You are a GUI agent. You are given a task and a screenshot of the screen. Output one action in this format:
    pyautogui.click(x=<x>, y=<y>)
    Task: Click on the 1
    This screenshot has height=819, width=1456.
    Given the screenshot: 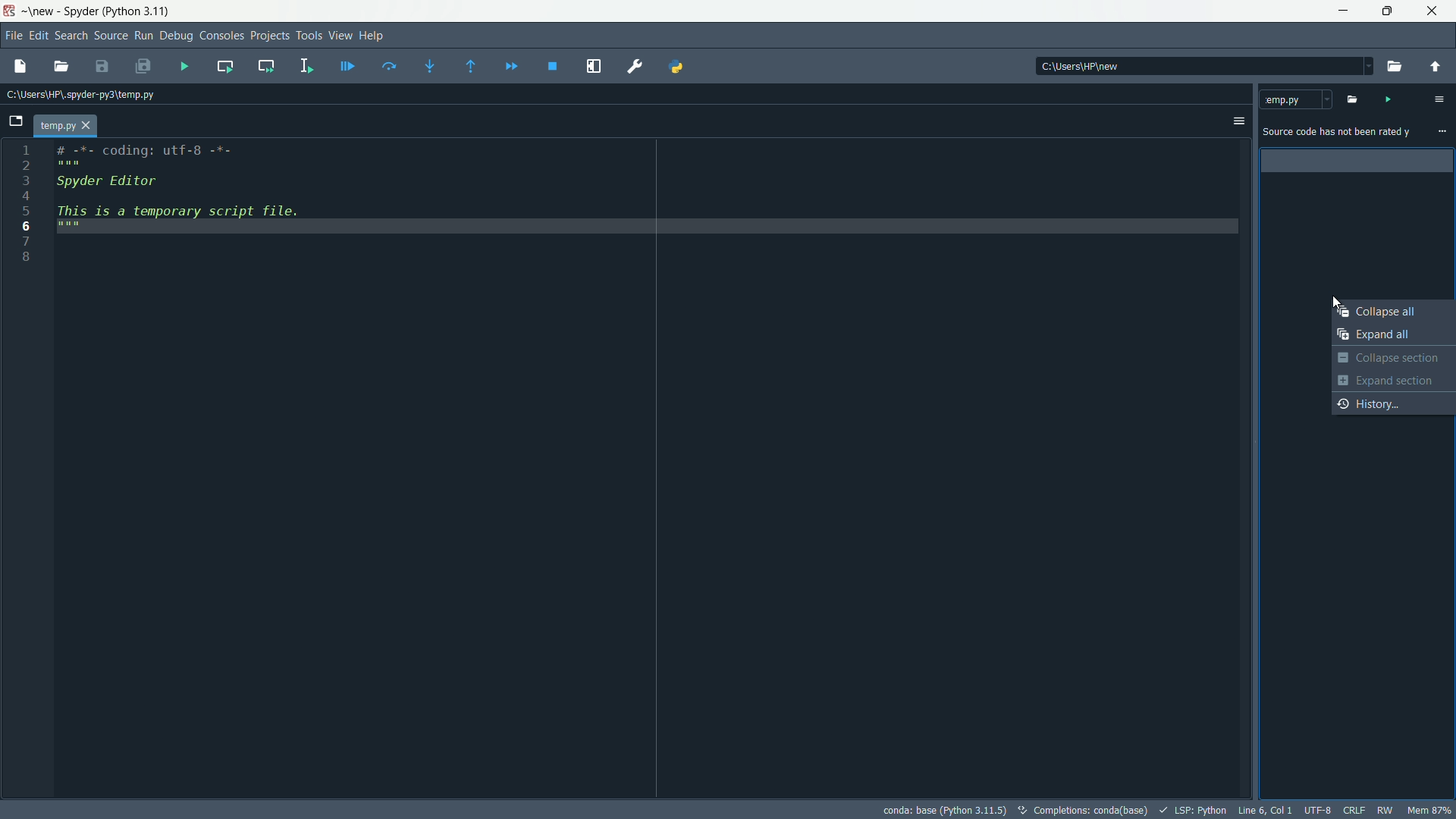 What is the action you would take?
    pyautogui.click(x=26, y=150)
    